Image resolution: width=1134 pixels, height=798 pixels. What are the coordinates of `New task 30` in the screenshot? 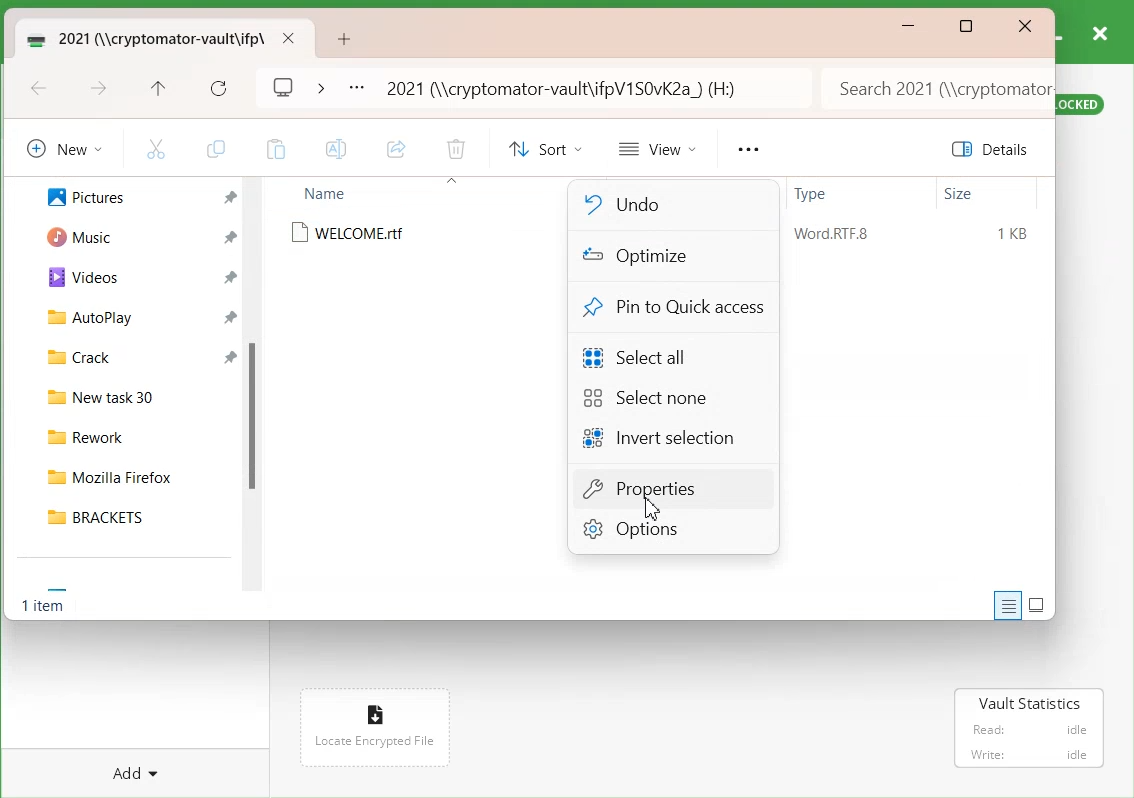 It's located at (131, 394).